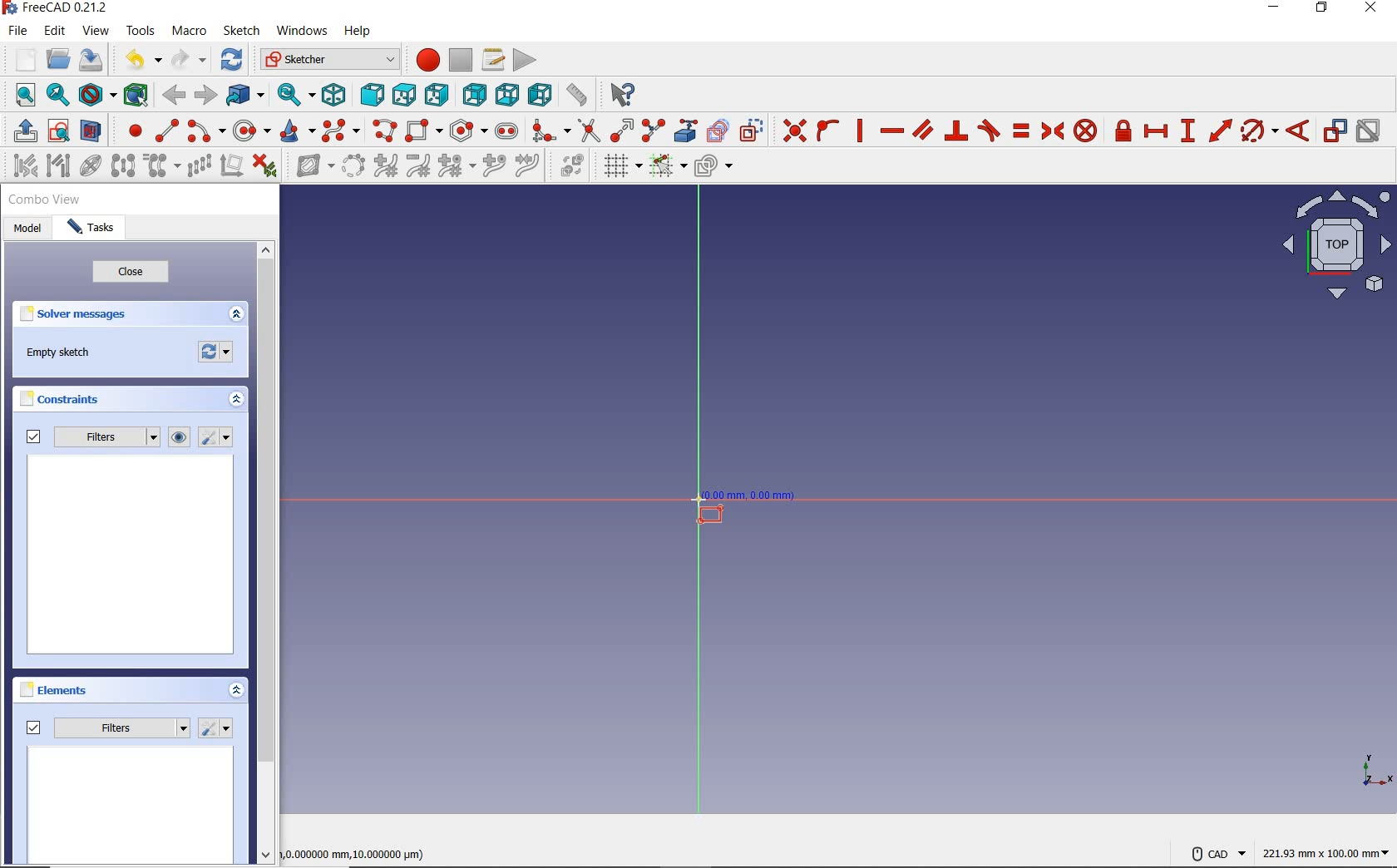  What do you see at coordinates (654, 131) in the screenshot?
I see `split edge` at bounding box center [654, 131].